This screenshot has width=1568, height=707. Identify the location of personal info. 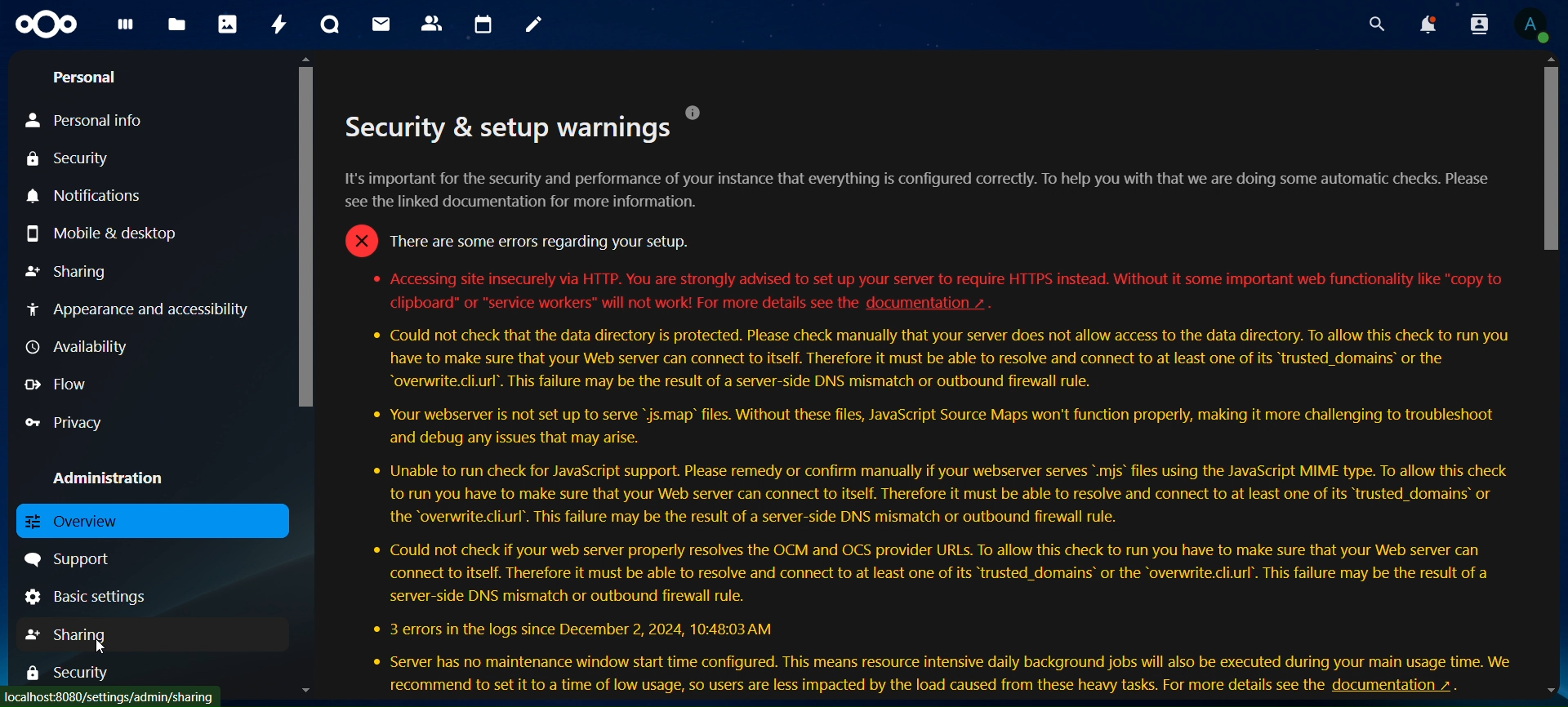
(90, 121).